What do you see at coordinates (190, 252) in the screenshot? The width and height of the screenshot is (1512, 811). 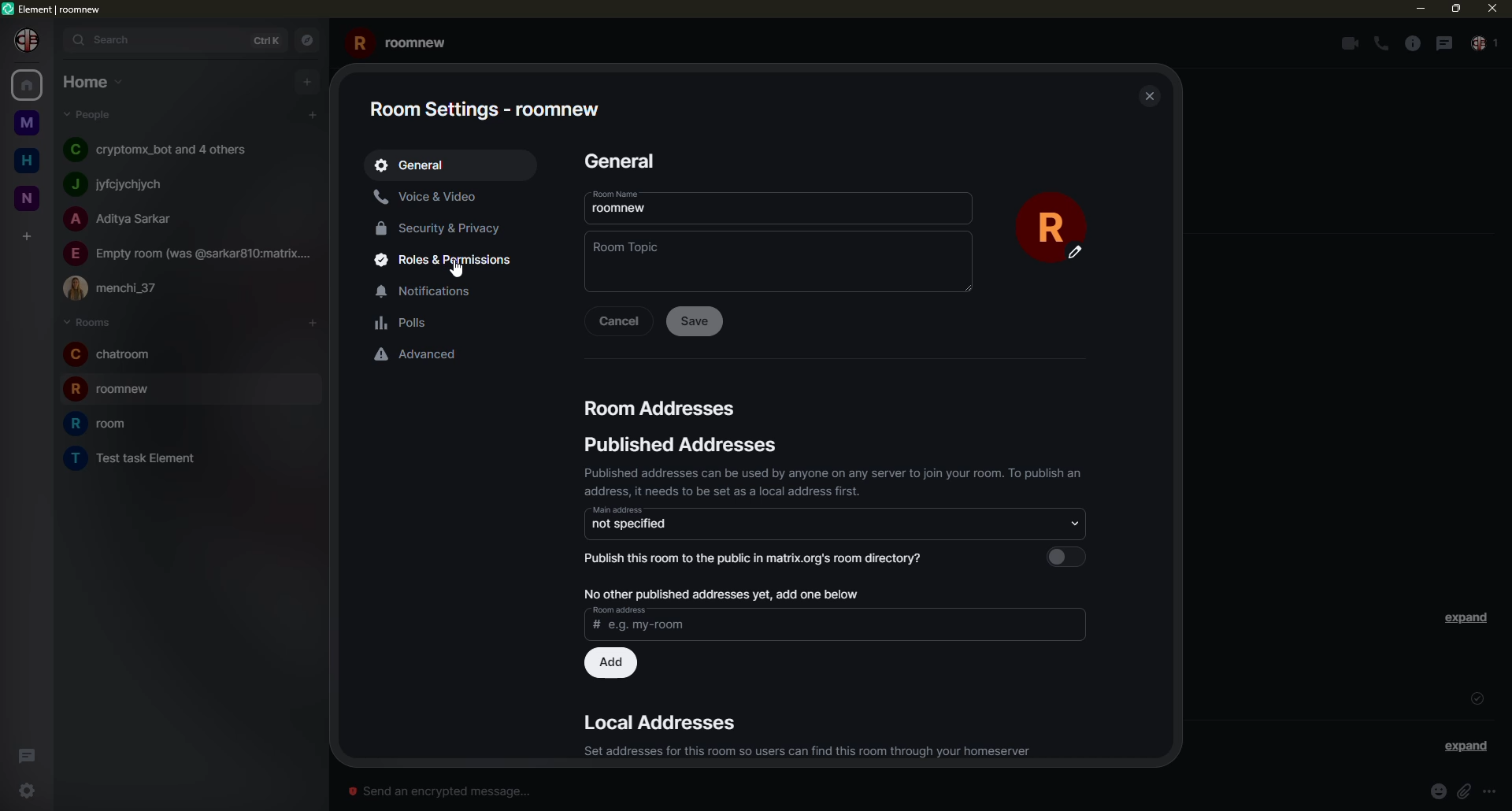 I see `people` at bounding box center [190, 252].